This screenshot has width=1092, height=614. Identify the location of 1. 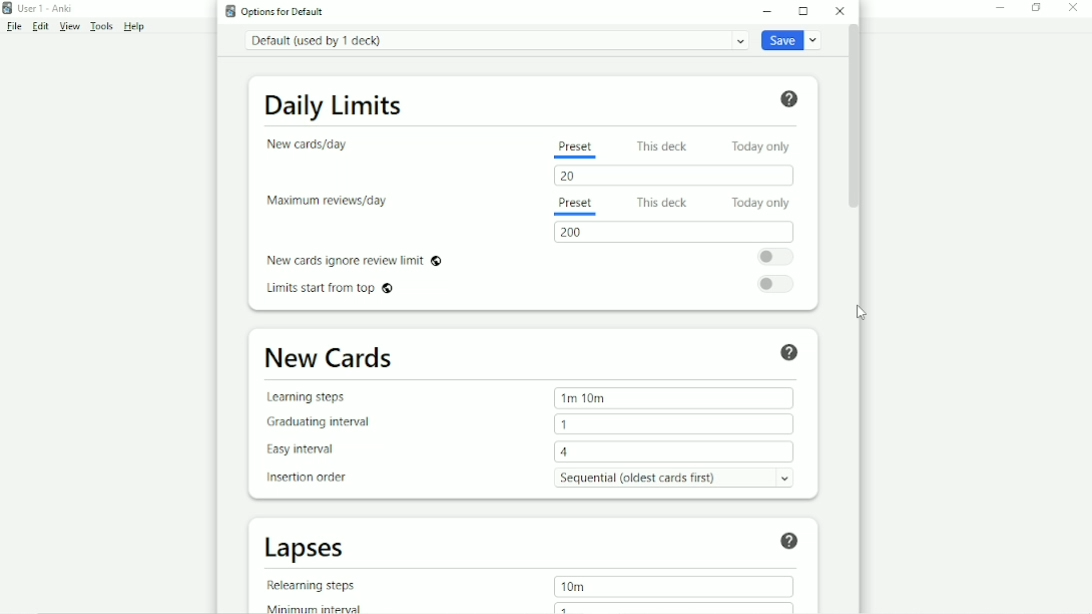
(569, 425).